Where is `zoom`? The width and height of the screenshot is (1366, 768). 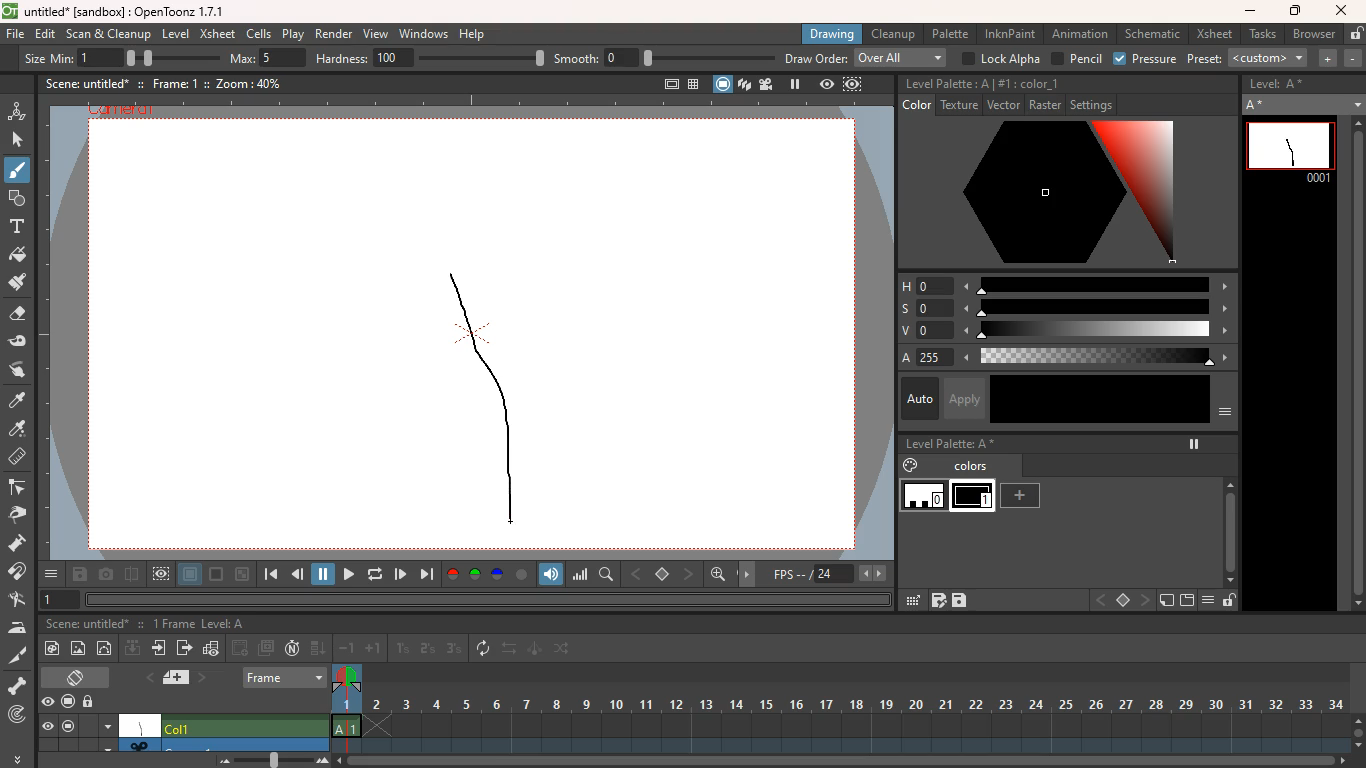
zoom is located at coordinates (267, 760).